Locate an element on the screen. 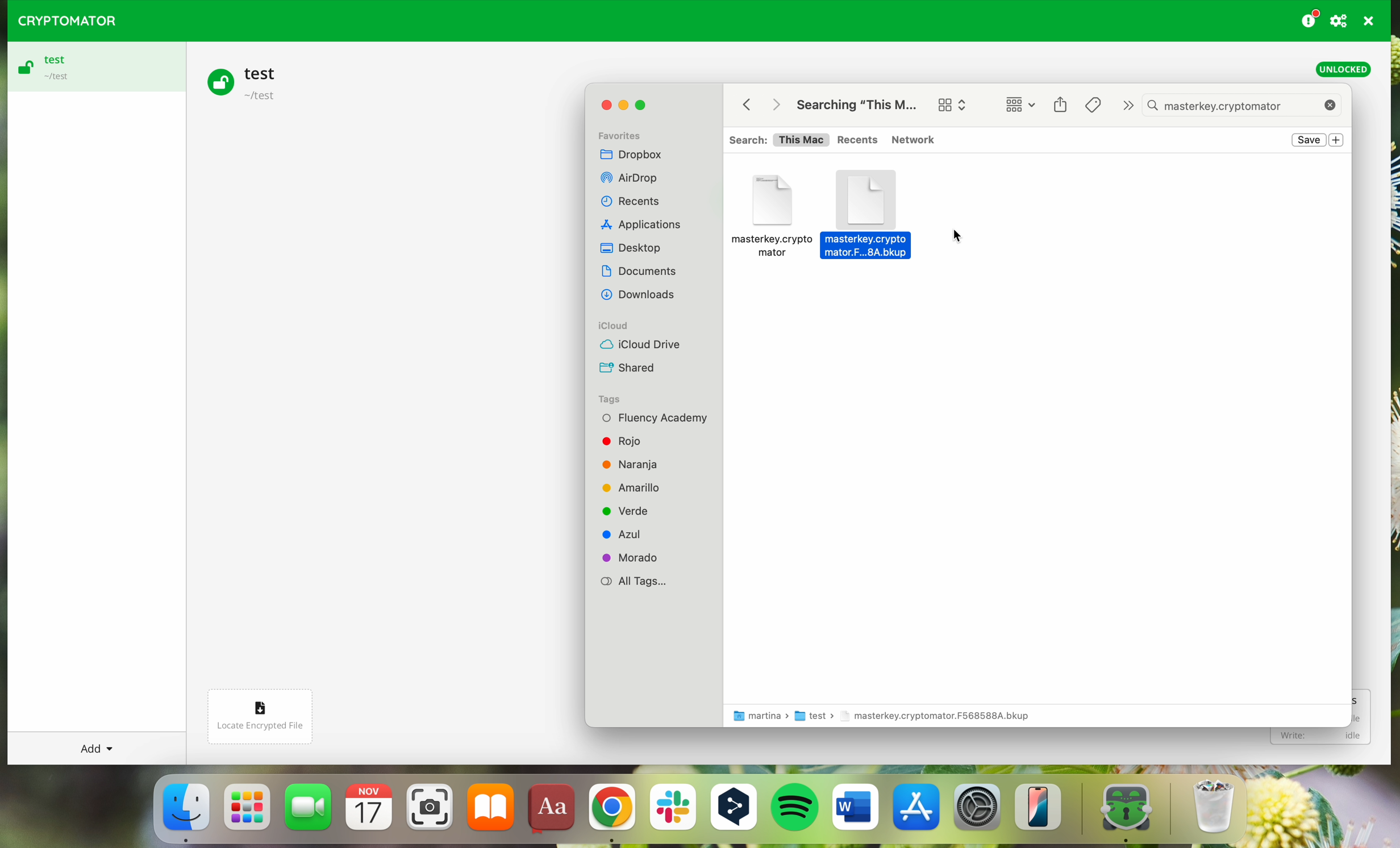  close is located at coordinates (602, 107).